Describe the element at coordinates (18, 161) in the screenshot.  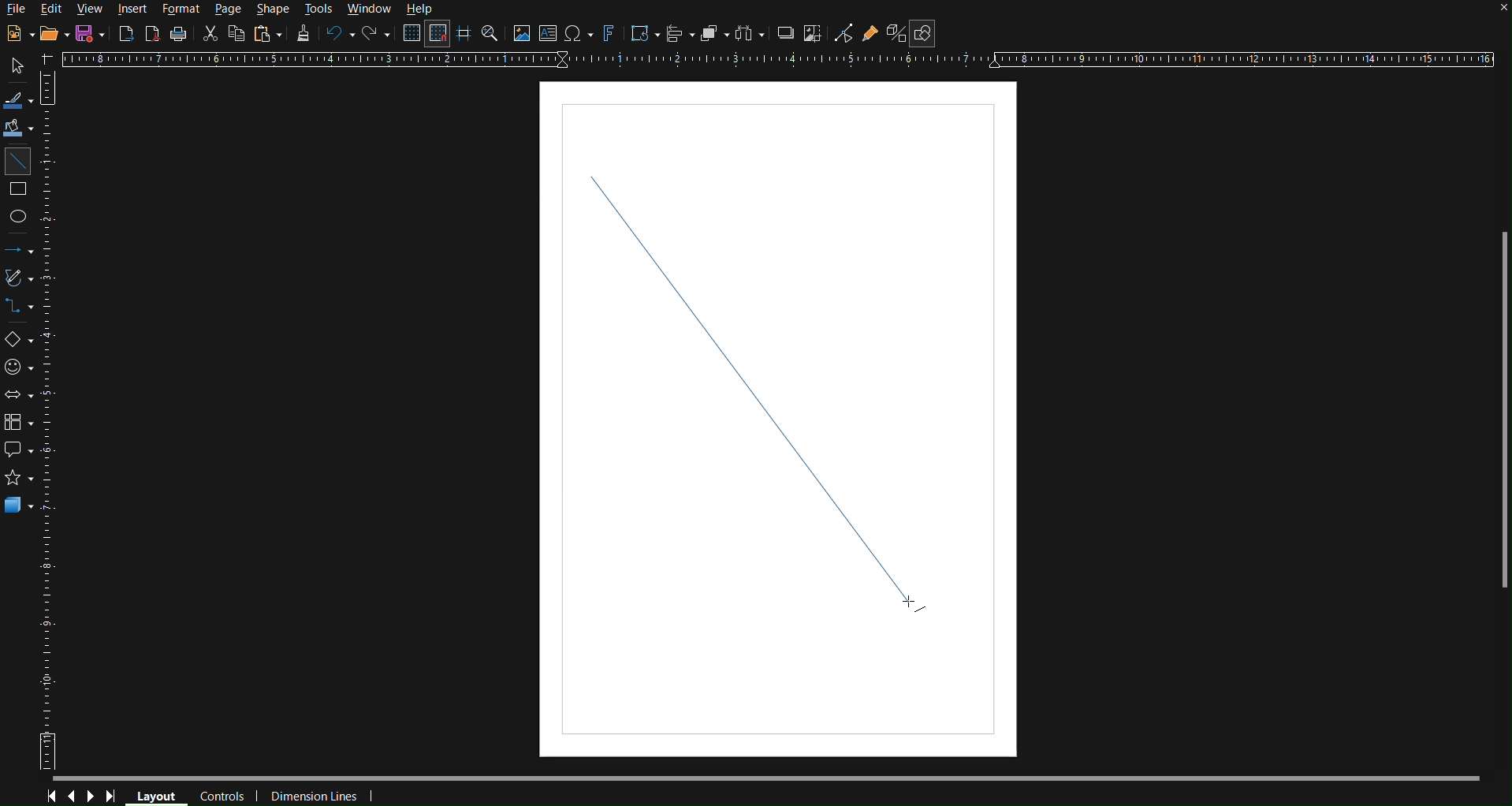
I see `Line ` at that location.